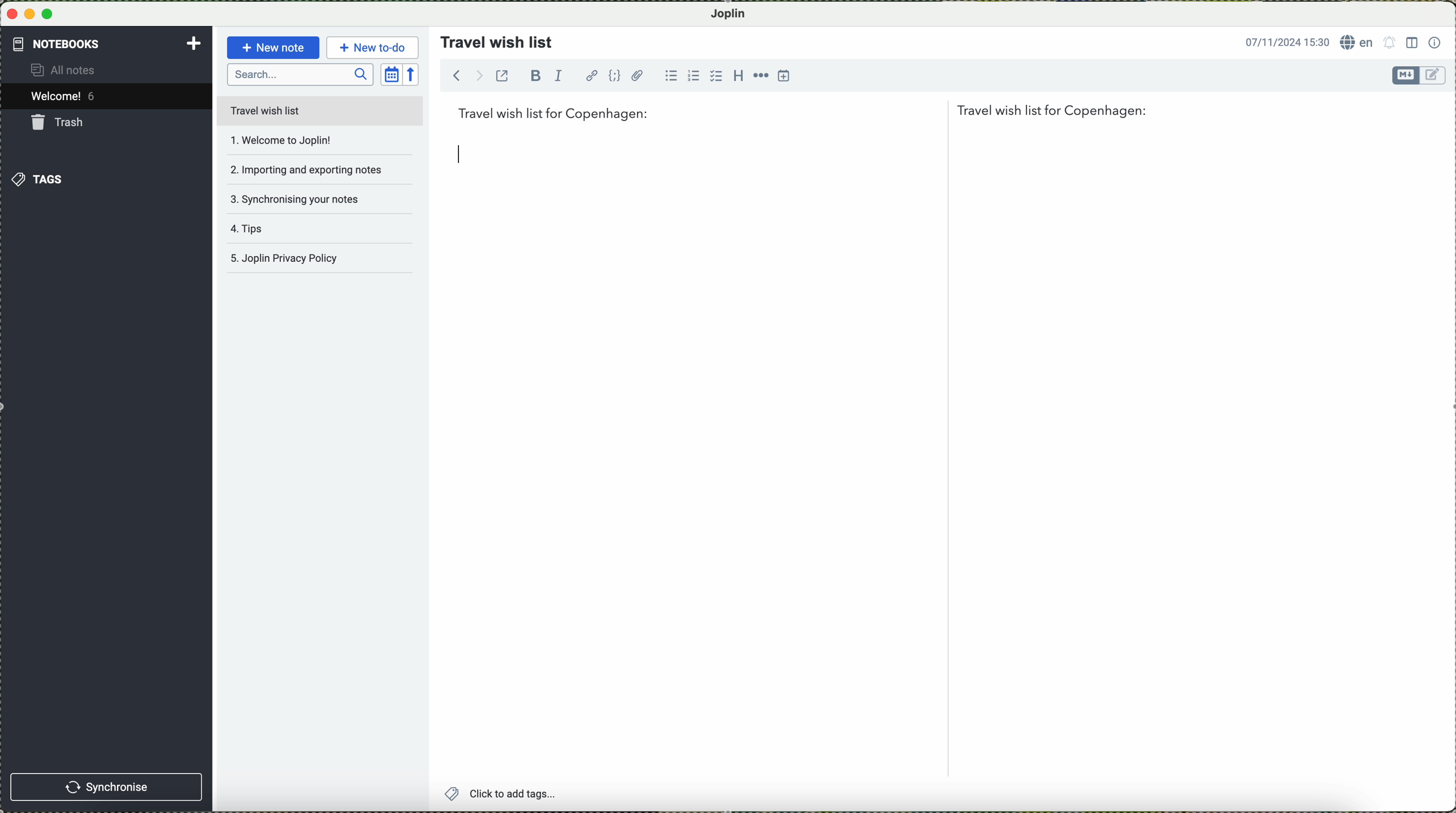 The height and width of the screenshot is (813, 1456). What do you see at coordinates (638, 75) in the screenshot?
I see `attach file` at bounding box center [638, 75].